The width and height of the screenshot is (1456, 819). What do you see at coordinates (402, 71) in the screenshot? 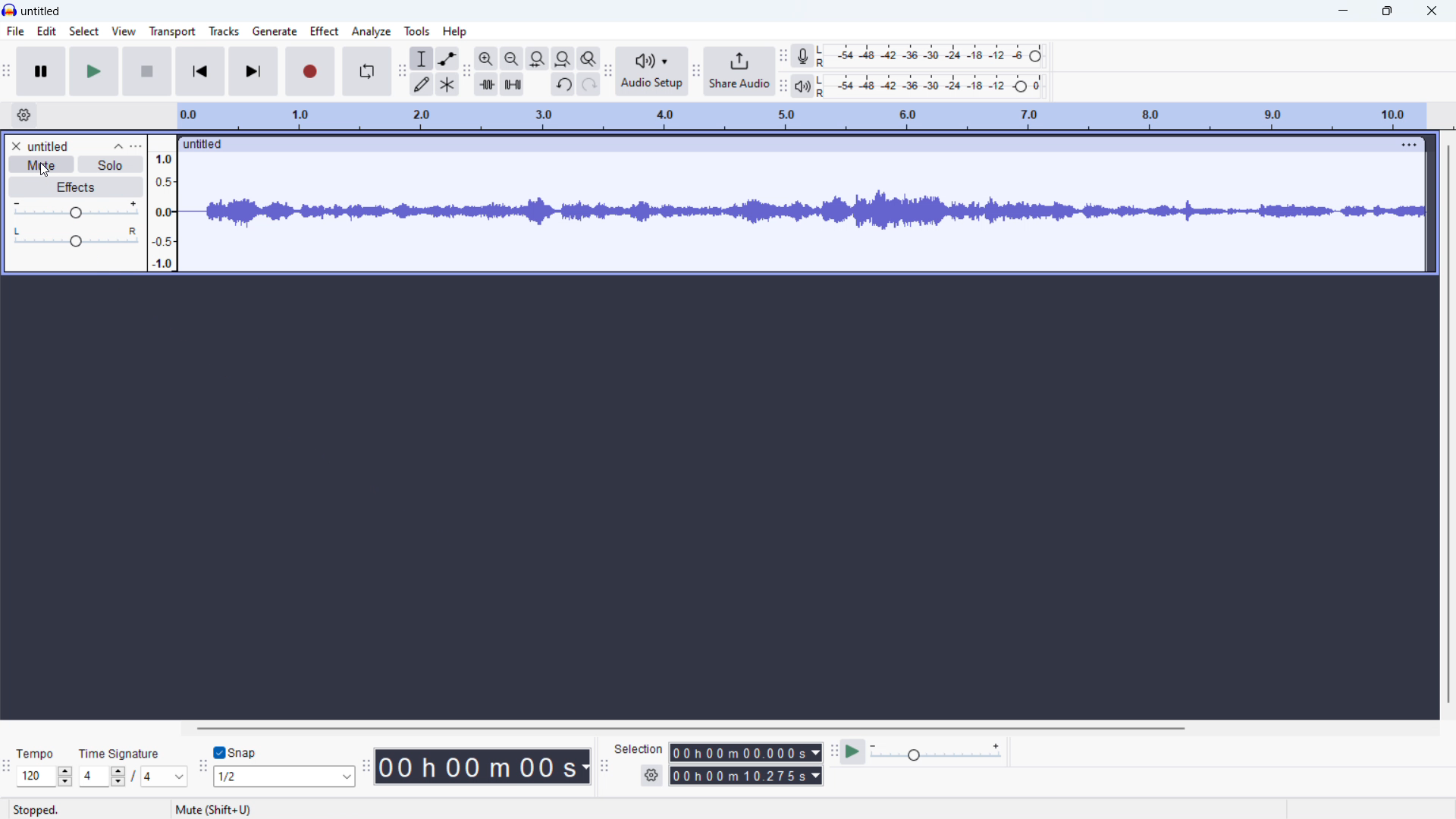
I see `tools toolbar` at bounding box center [402, 71].